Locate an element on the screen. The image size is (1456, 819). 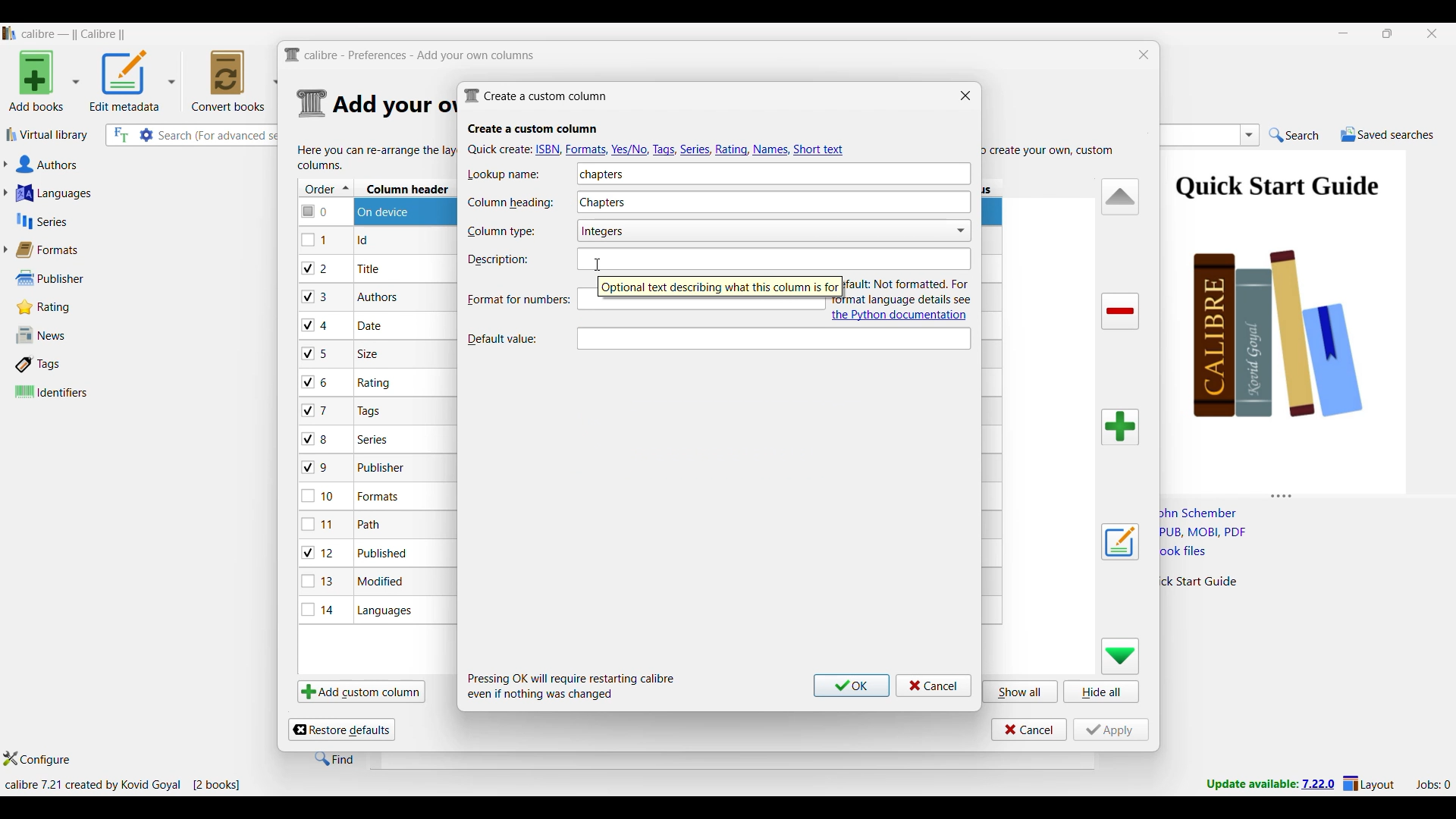
Text is located at coordinates (772, 339).